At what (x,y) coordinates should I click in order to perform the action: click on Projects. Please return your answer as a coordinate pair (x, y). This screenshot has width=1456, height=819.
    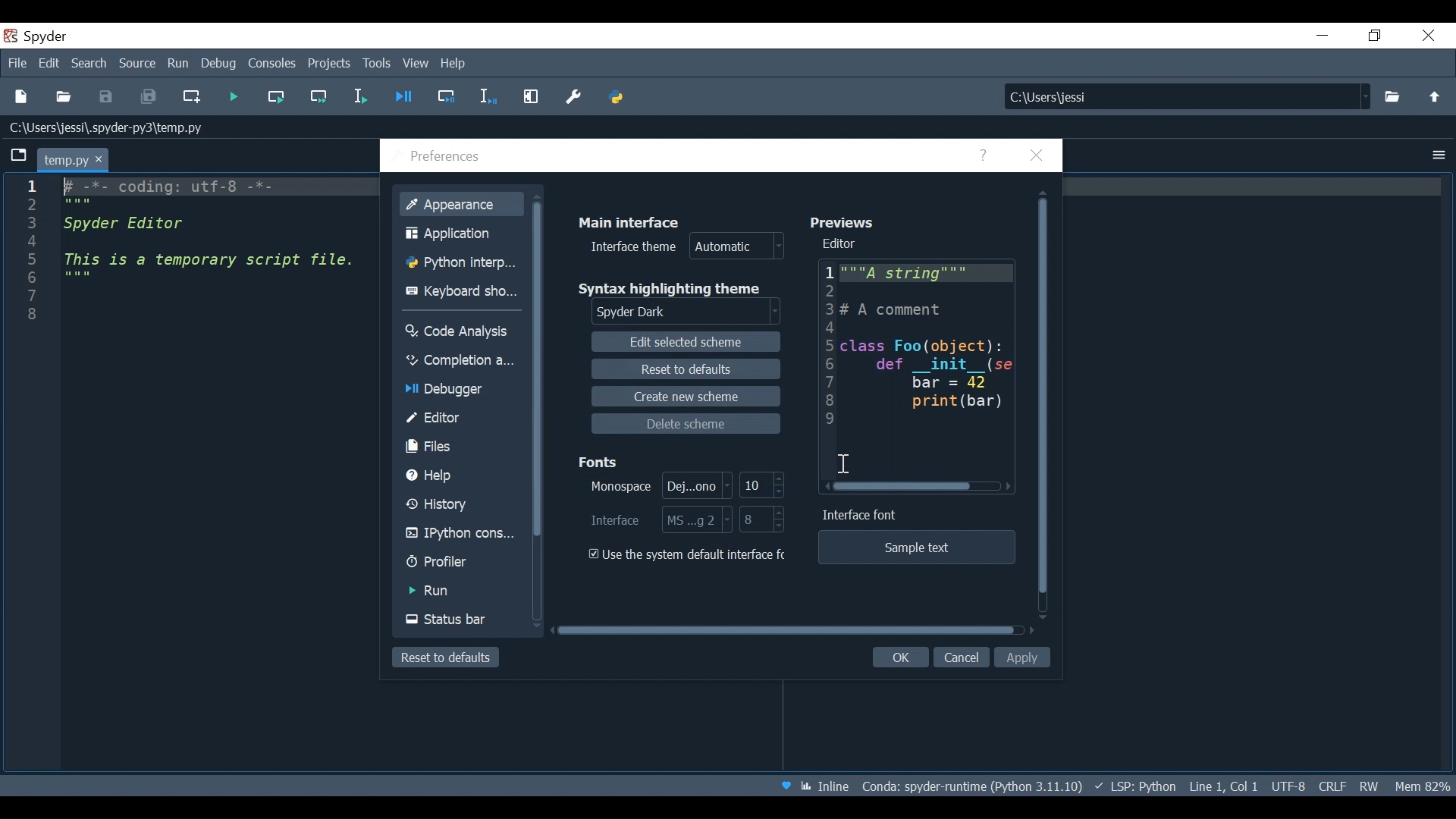
    Looking at the image, I should click on (328, 64).